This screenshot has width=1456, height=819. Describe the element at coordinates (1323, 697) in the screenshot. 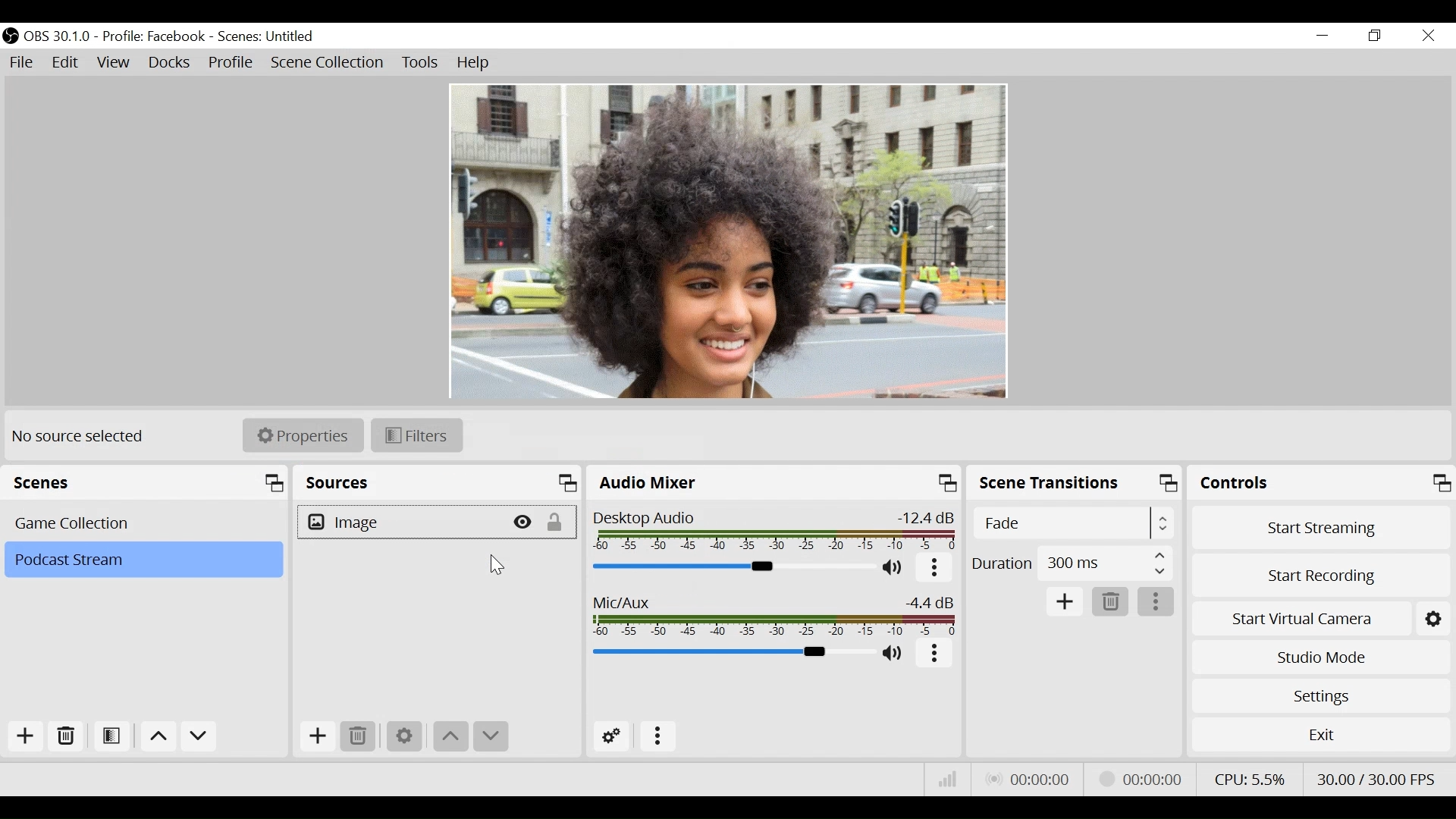

I see `Settings` at that location.